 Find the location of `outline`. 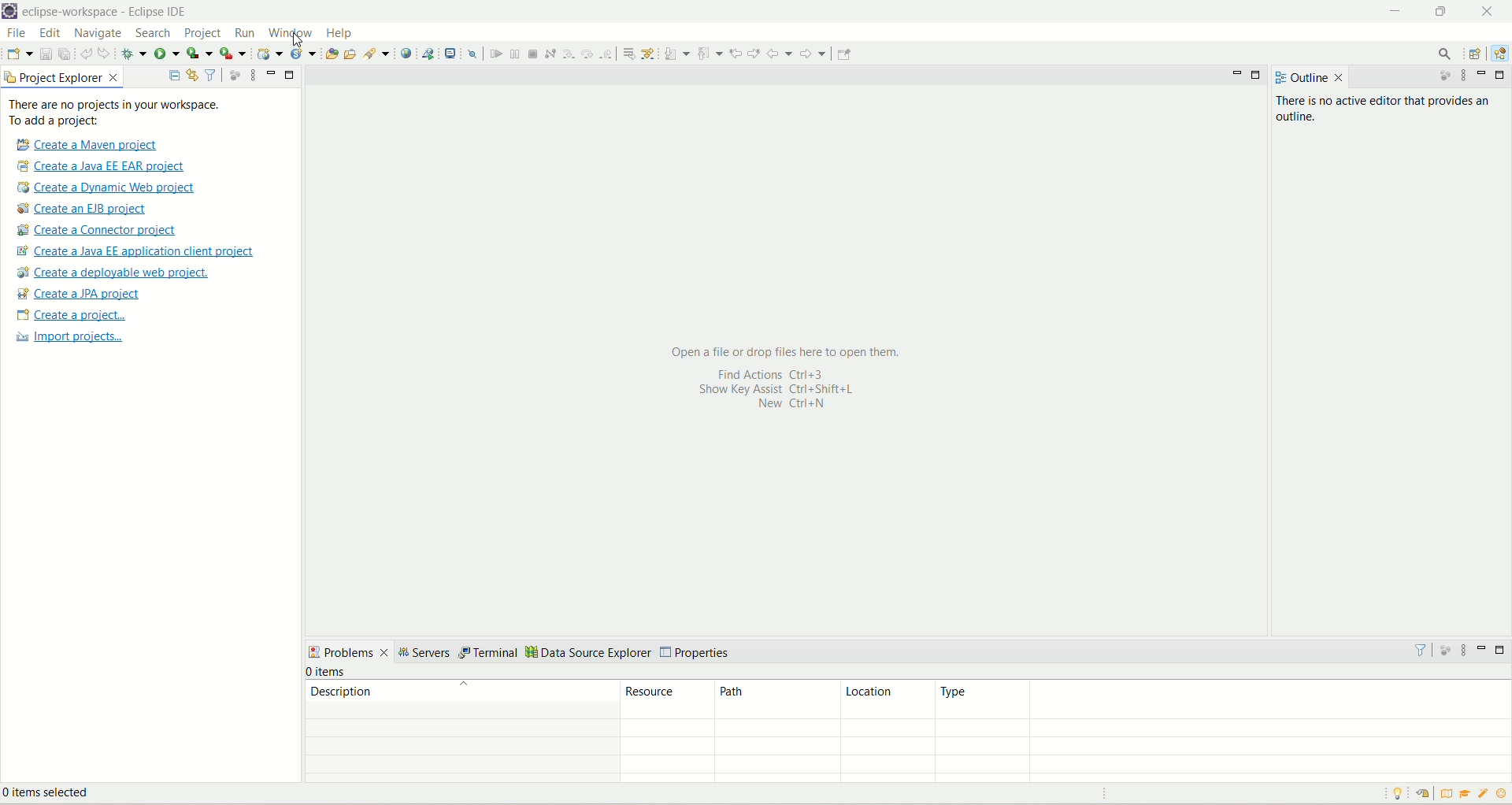

outline is located at coordinates (1299, 78).